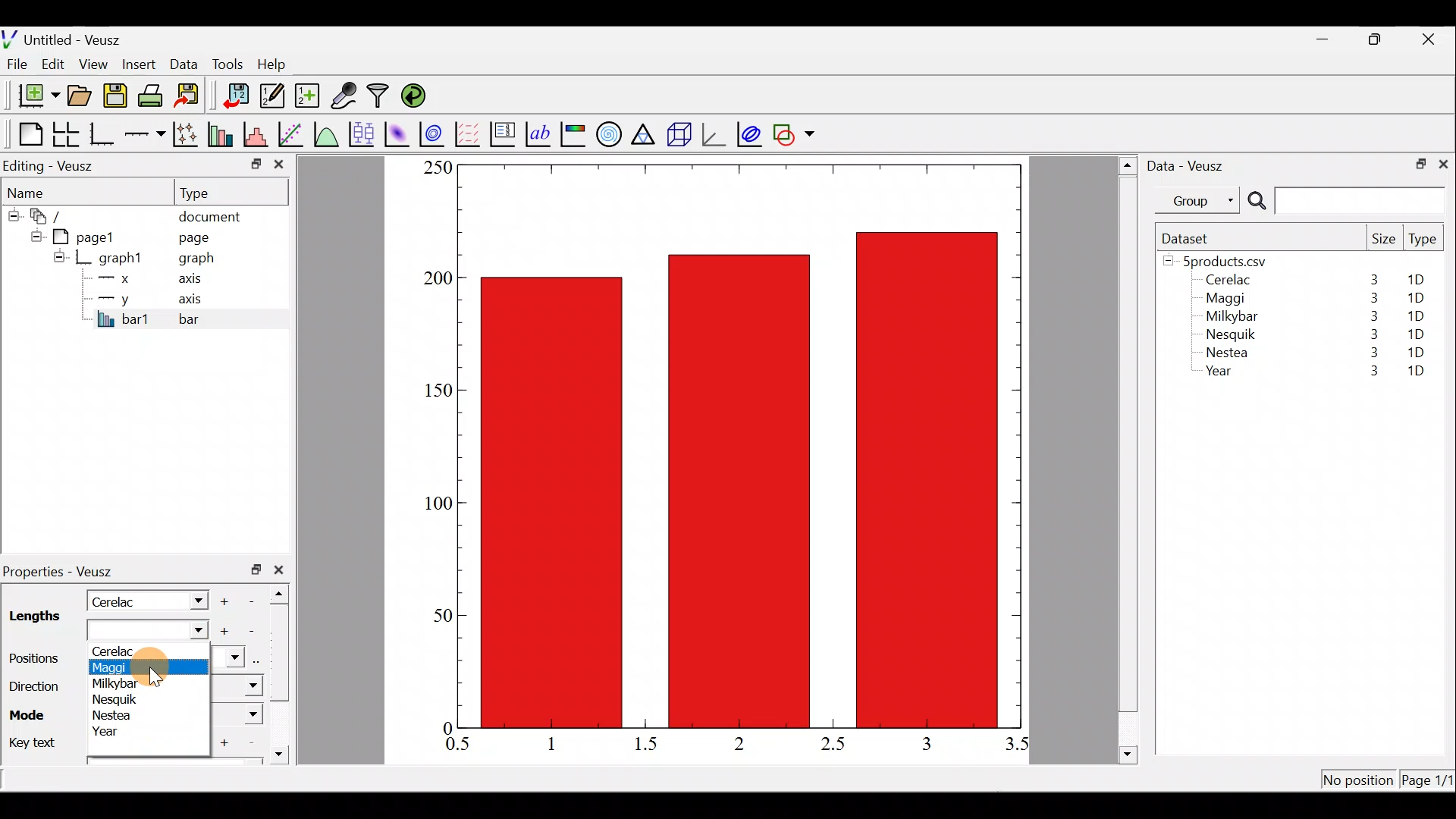  I want to click on Help, so click(281, 64).